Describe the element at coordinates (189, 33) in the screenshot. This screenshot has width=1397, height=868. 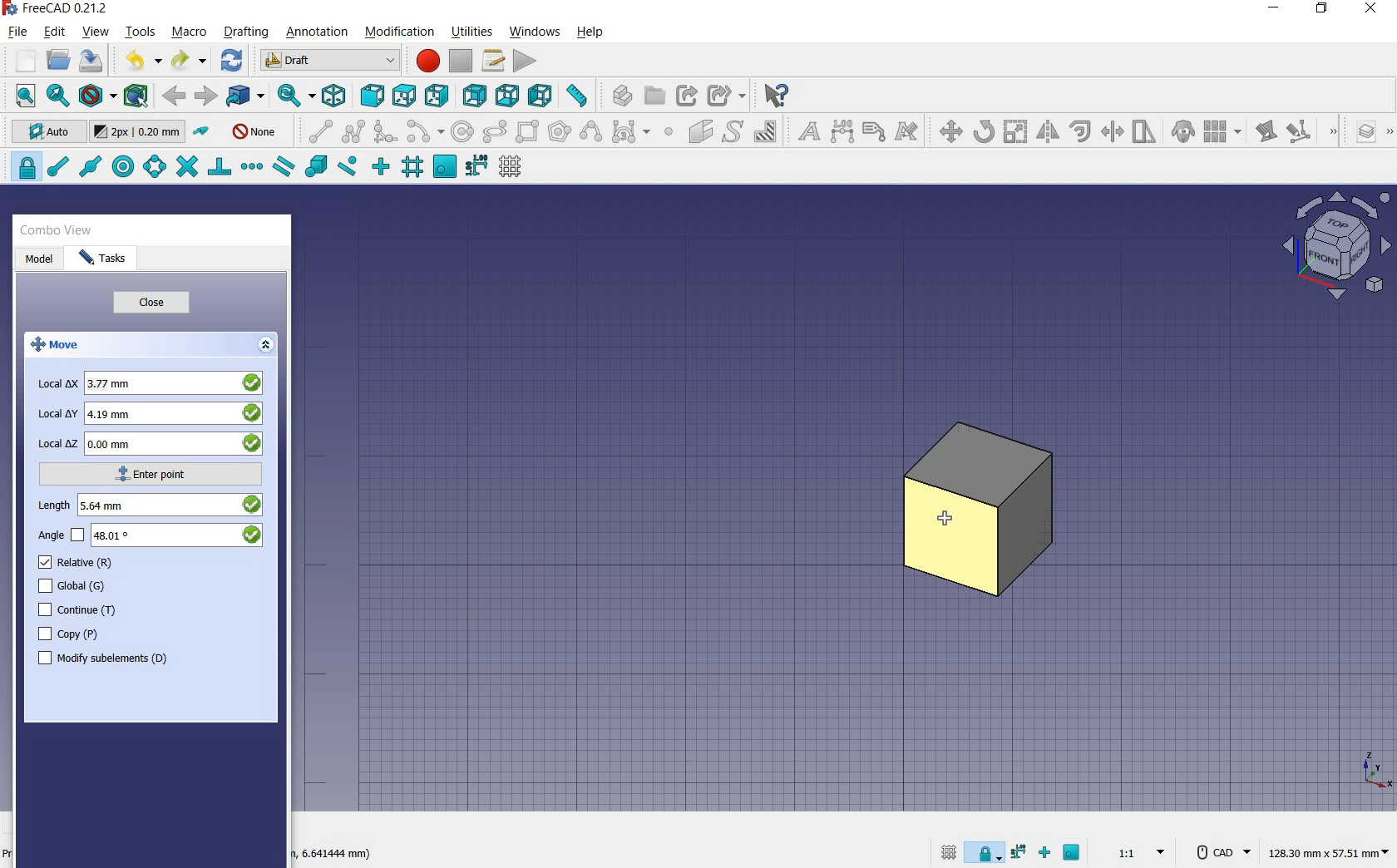
I see `macro` at that location.